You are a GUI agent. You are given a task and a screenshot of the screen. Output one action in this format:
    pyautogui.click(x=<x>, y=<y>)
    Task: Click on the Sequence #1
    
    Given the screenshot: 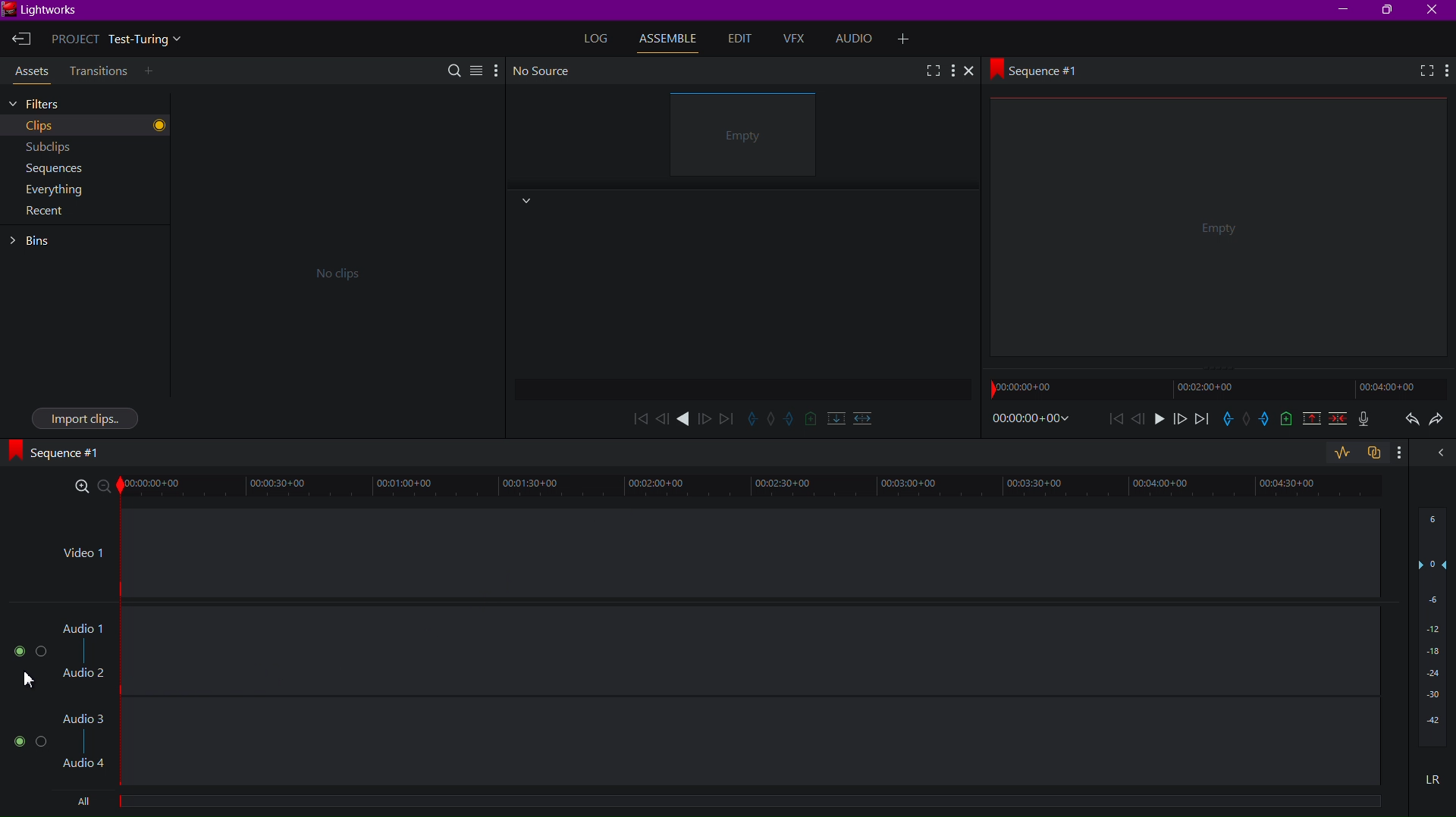 What is the action you would take?
    pyautogui.click(x=61, y=452)
    